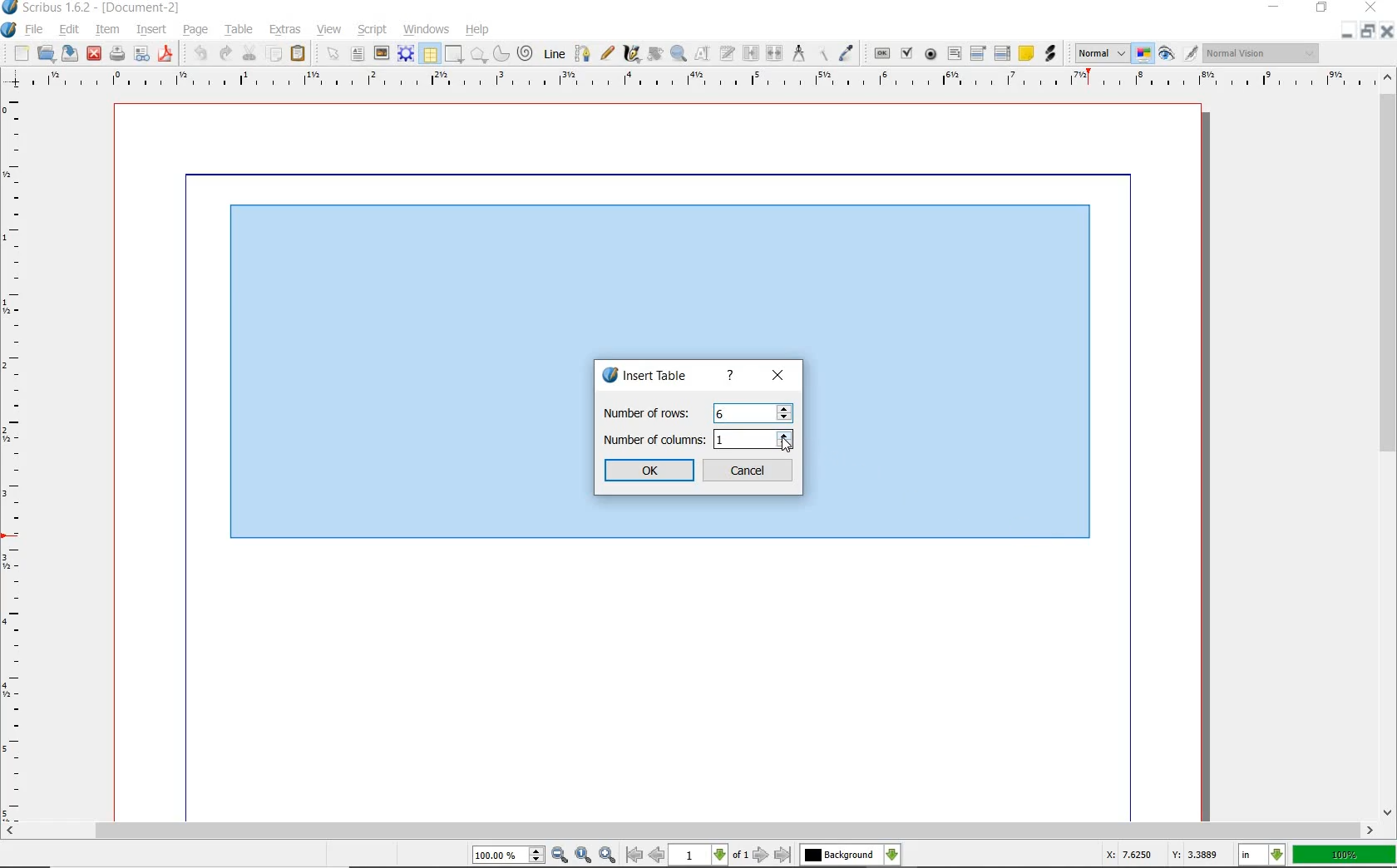 This screenshot has width=1397, height=868. I want to click on preview mode, so click(1164, 55).